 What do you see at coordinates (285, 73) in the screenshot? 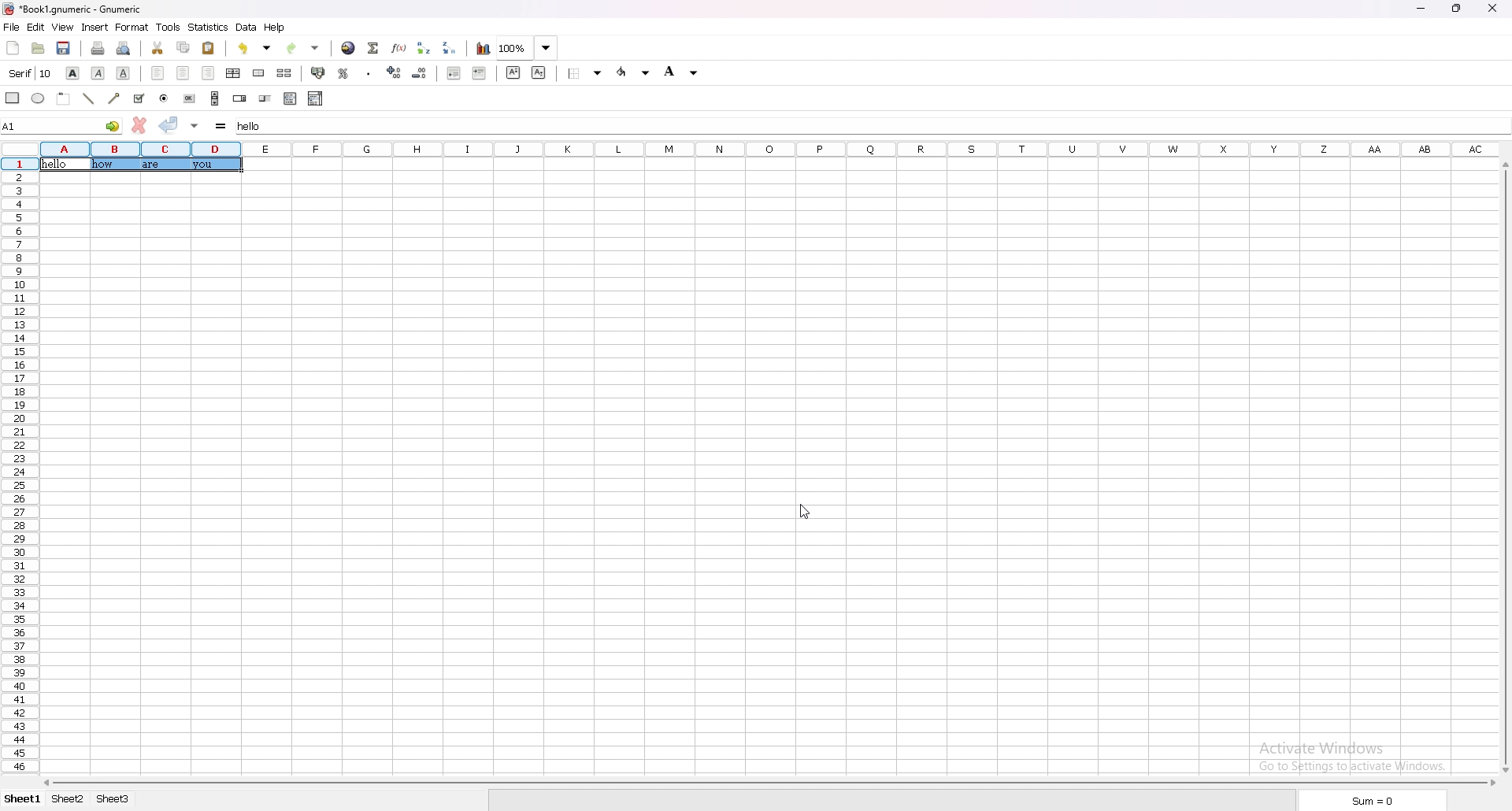
I see `split merged cells` at bounding box center [285, 73].